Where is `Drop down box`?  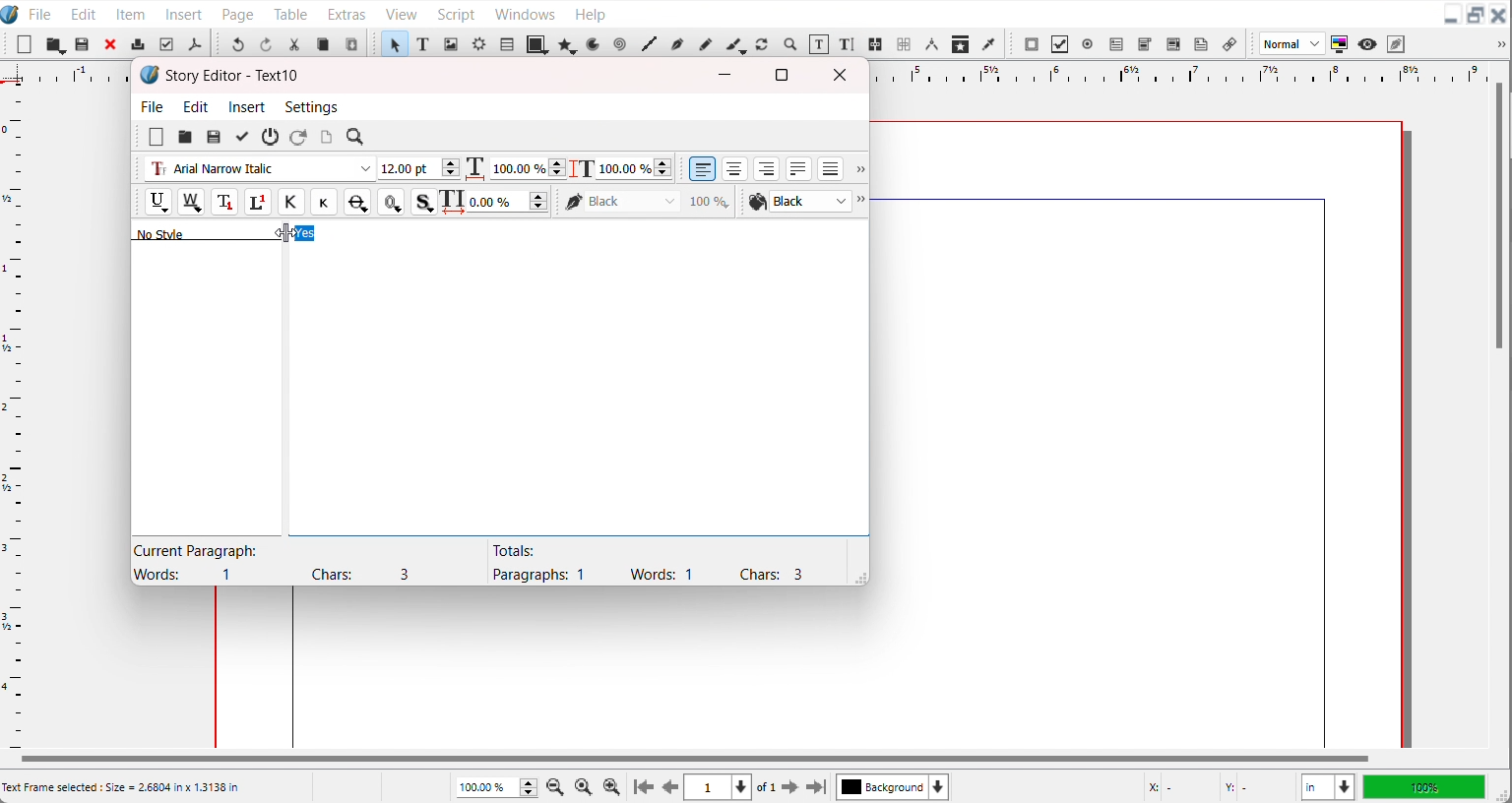
Drop down box is located at coordinates (863, 202).